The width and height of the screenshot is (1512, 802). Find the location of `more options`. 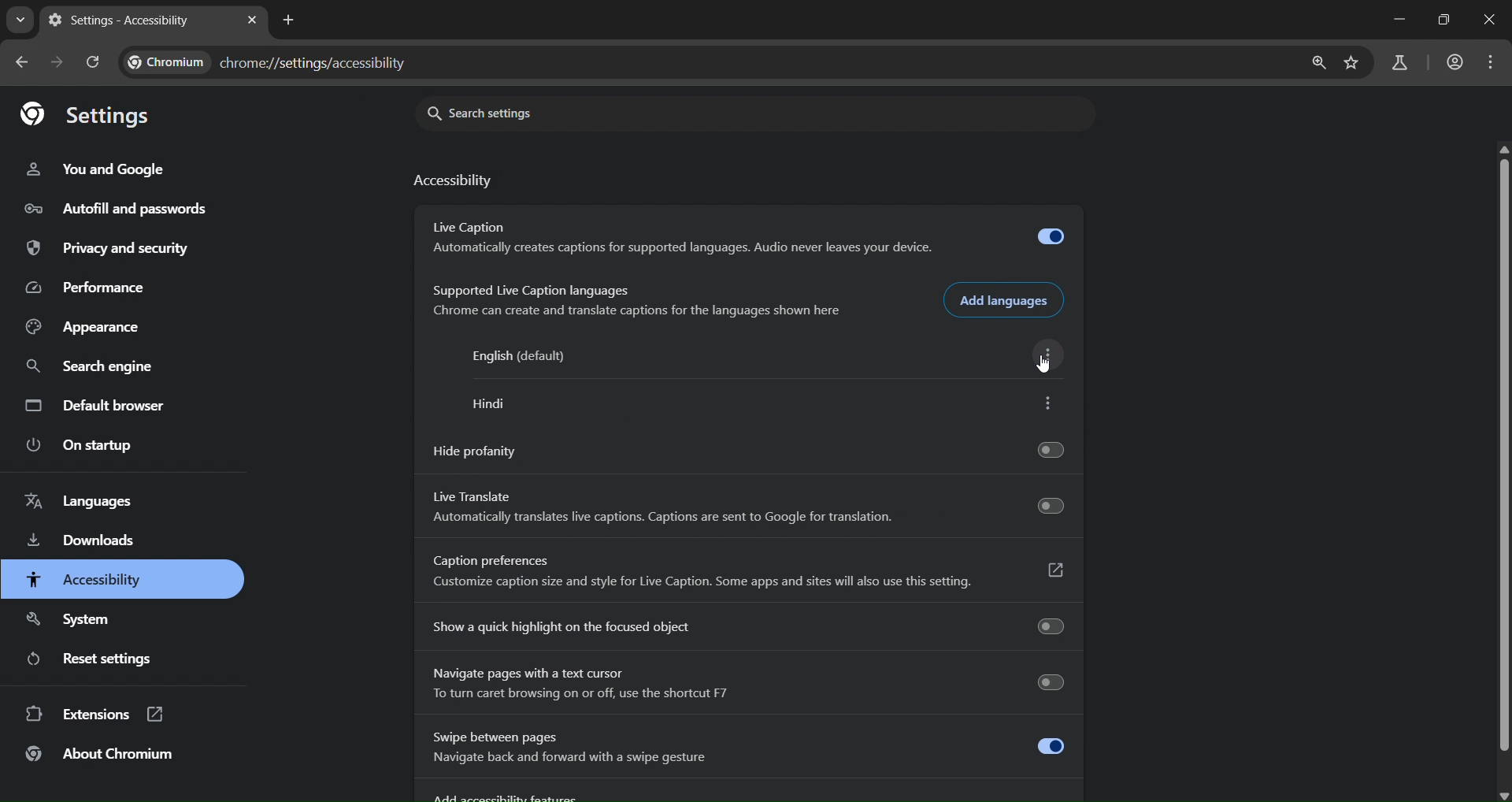

more options is located at coordinates (1050, 403).